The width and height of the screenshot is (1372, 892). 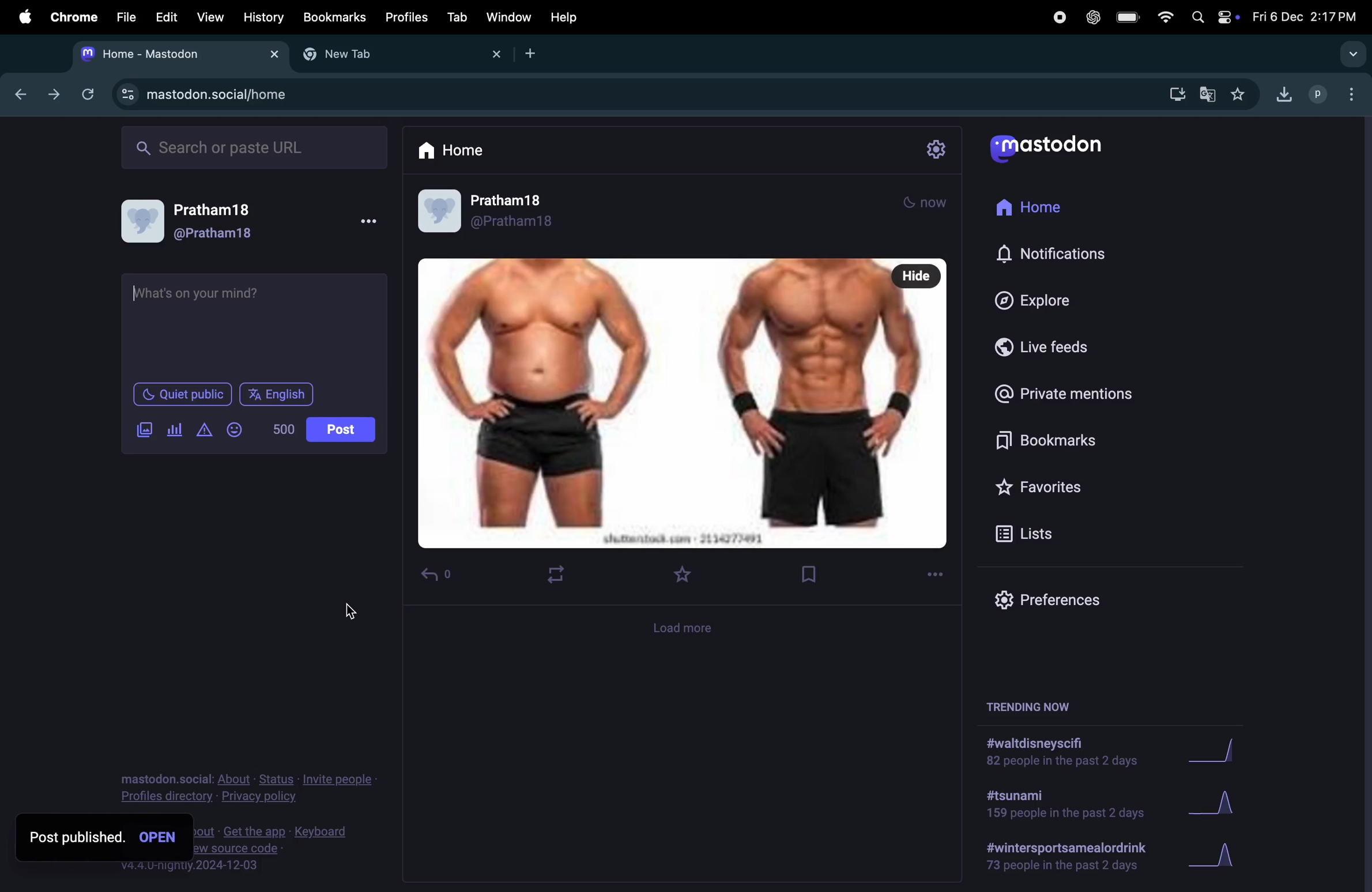 I want to click on Bookmarks, so click(x=1042, y=442).